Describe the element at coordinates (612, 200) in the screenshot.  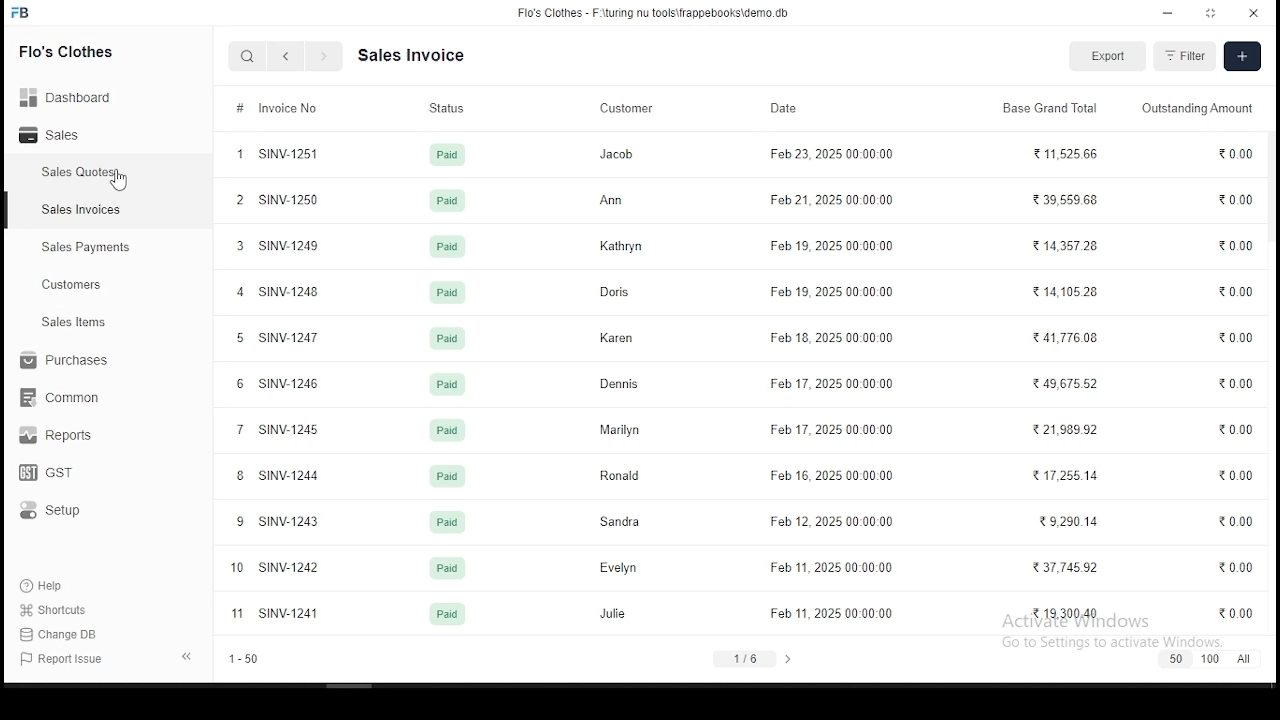
I see `Ann` at that location.